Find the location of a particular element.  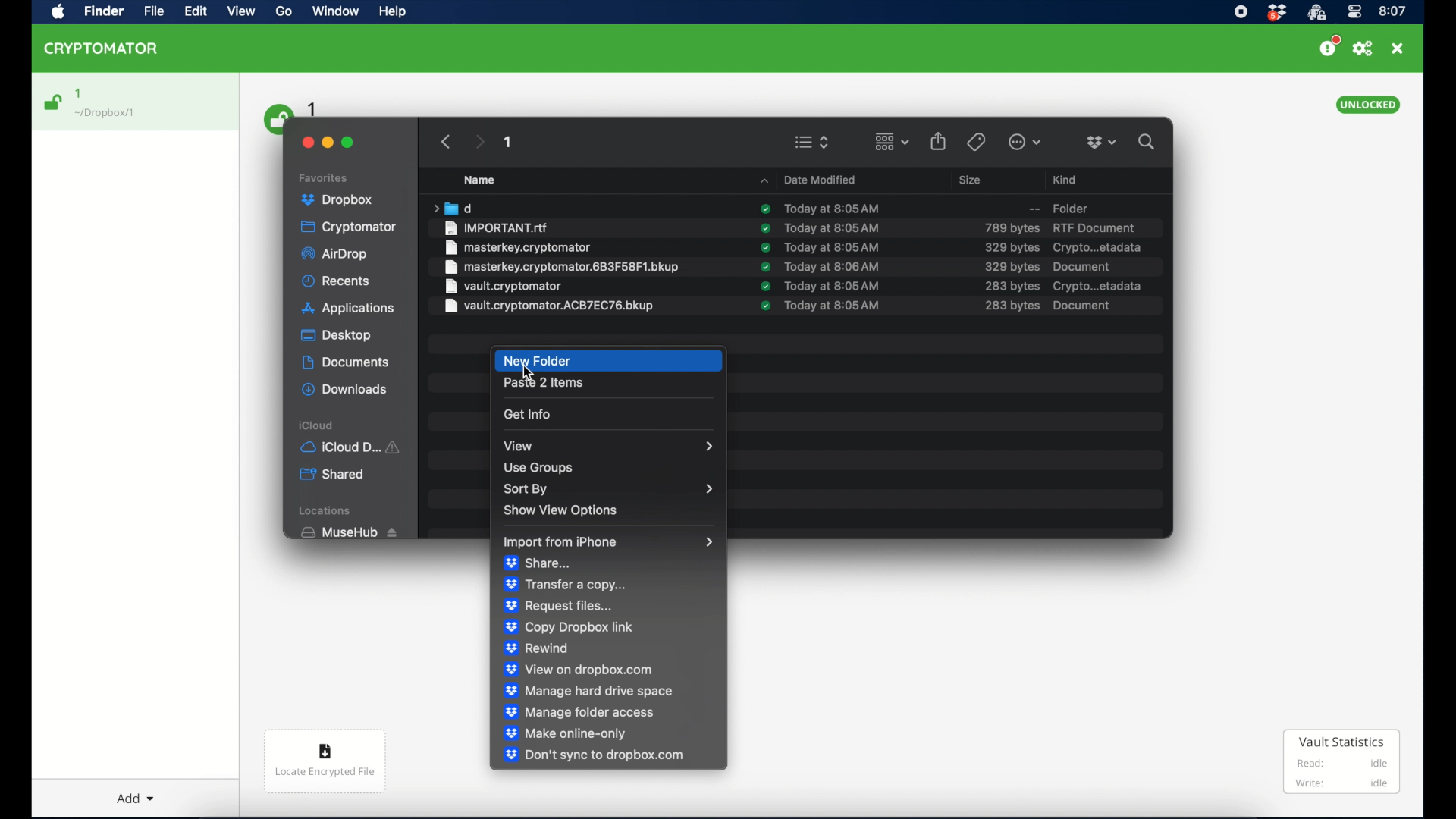

Go is located at coordinates (289, 15).